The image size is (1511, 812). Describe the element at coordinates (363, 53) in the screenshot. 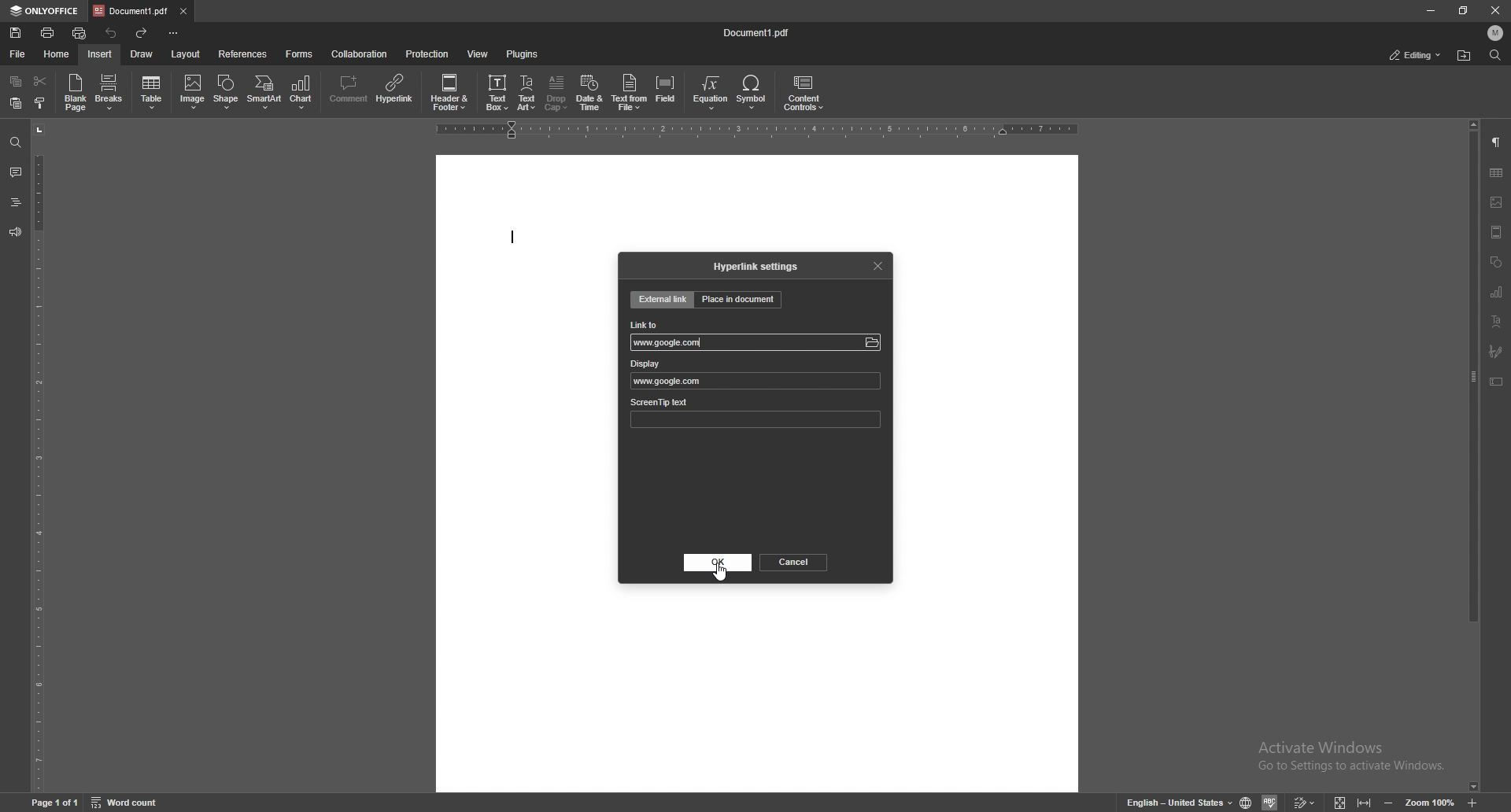

I see `collaboration` at that location.